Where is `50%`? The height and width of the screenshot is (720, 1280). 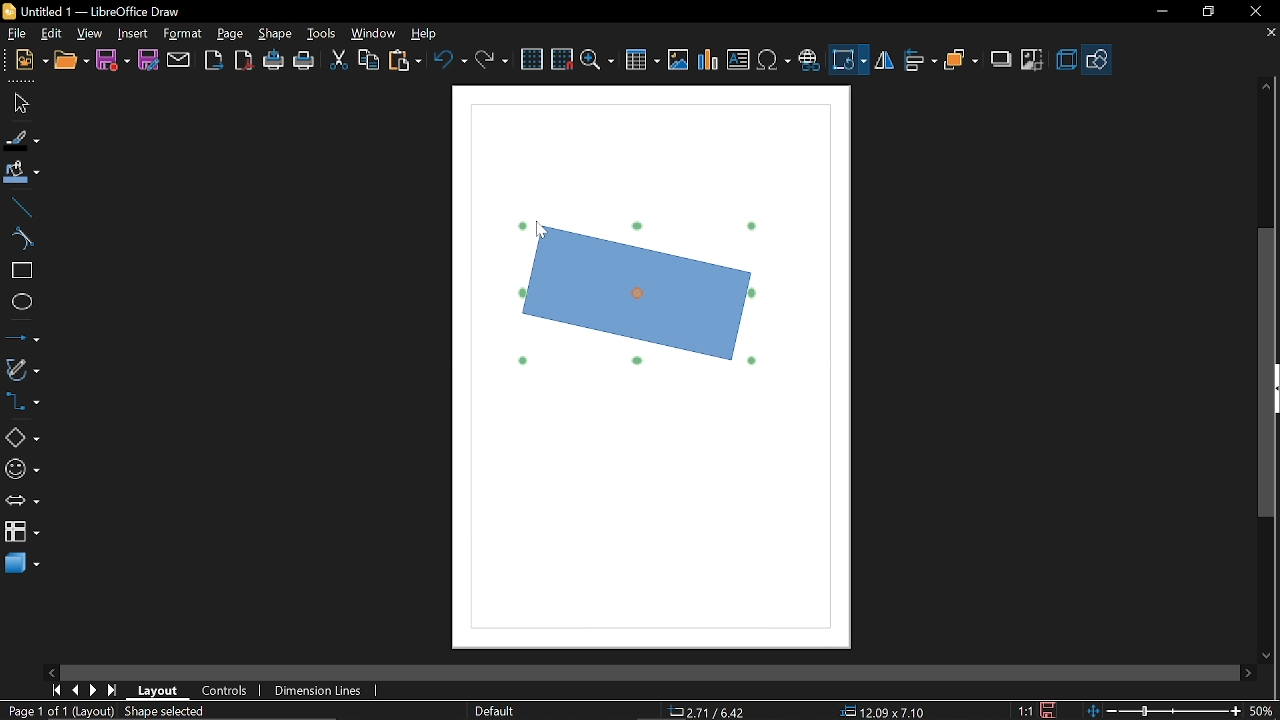
50% is located at coordinates (1262, 709).